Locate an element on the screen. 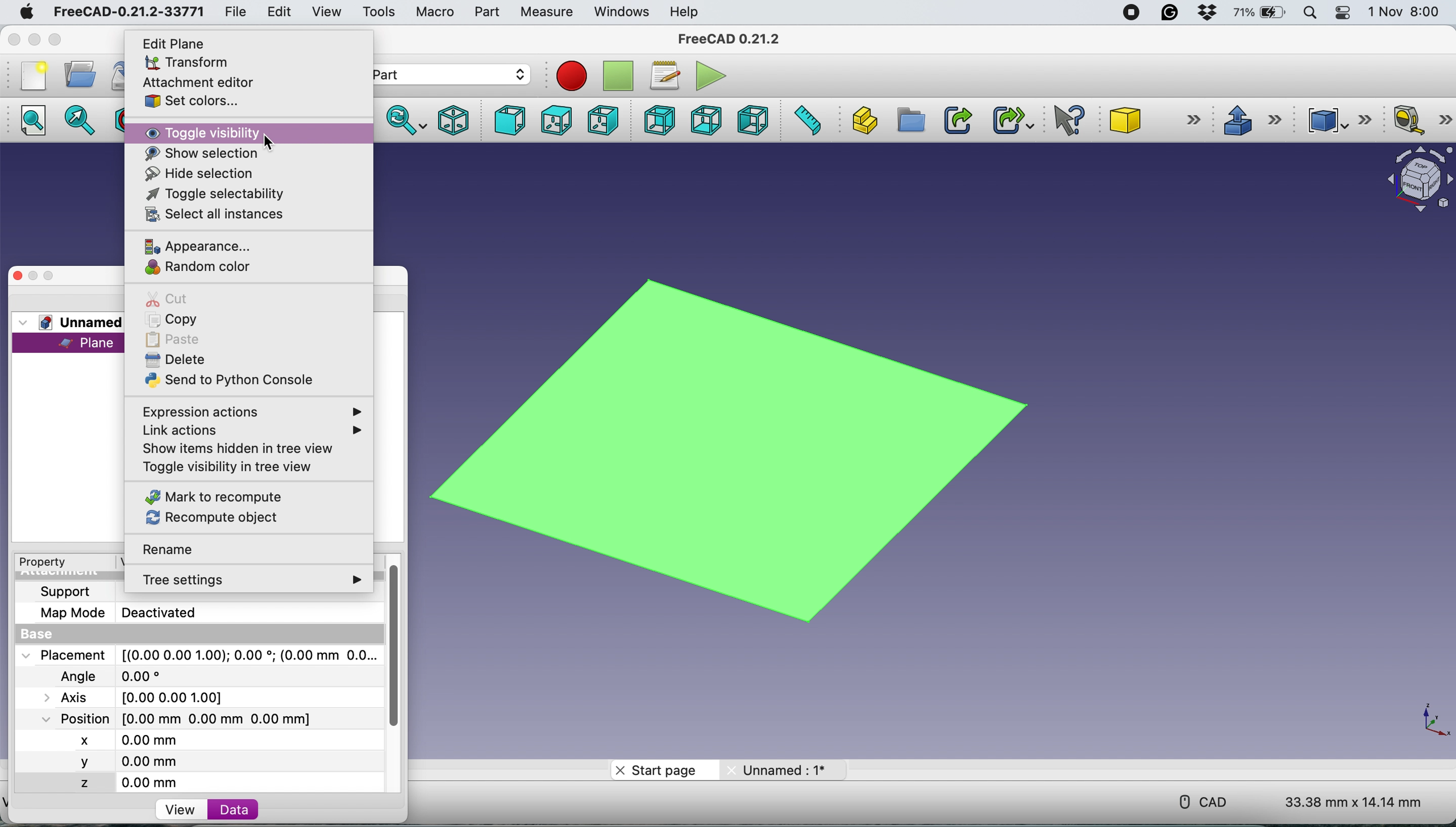  make link is located at coordinates (959, 122).